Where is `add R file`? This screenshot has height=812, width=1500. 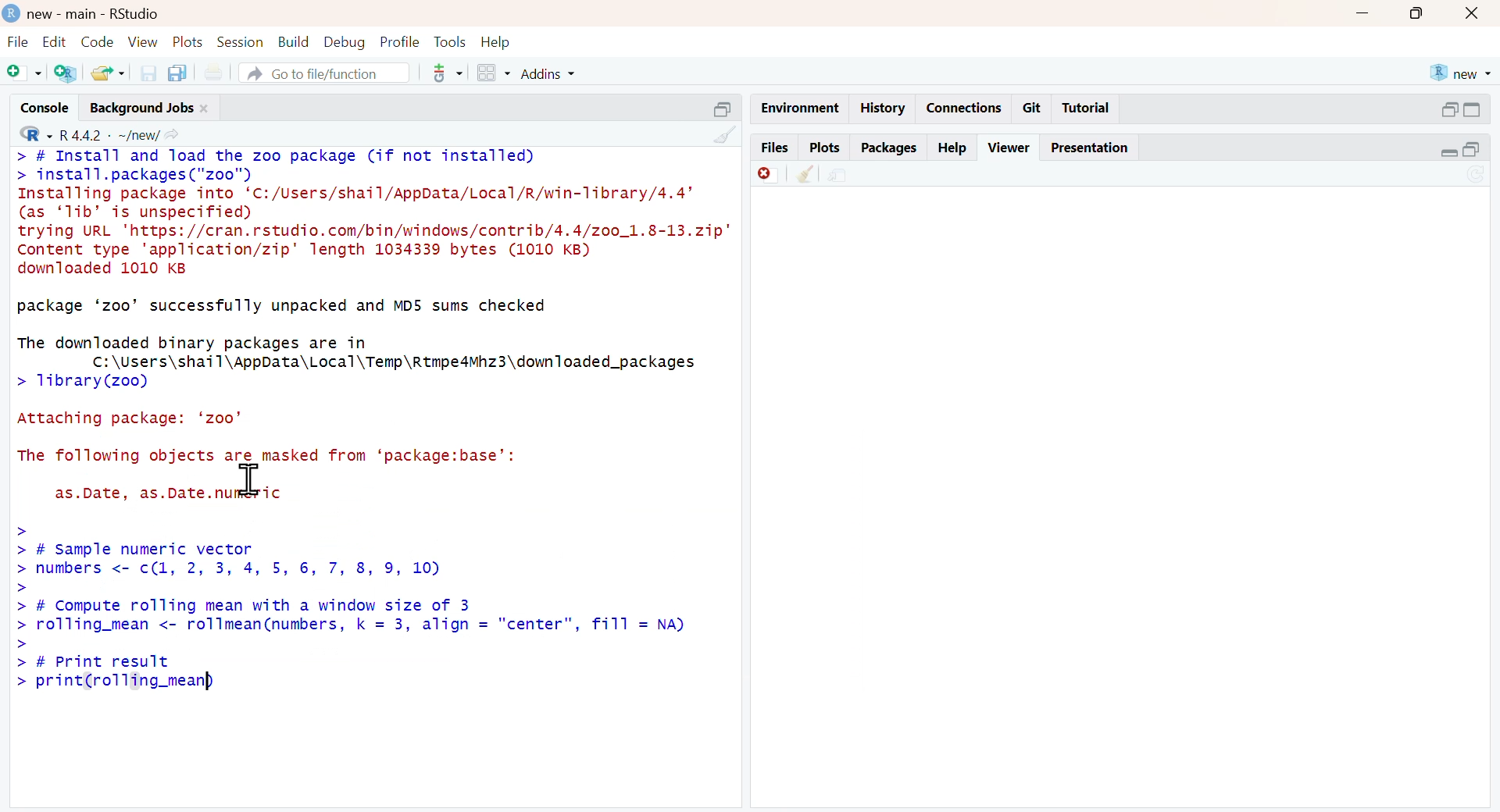 add R file is located at coordinates (67, 72).